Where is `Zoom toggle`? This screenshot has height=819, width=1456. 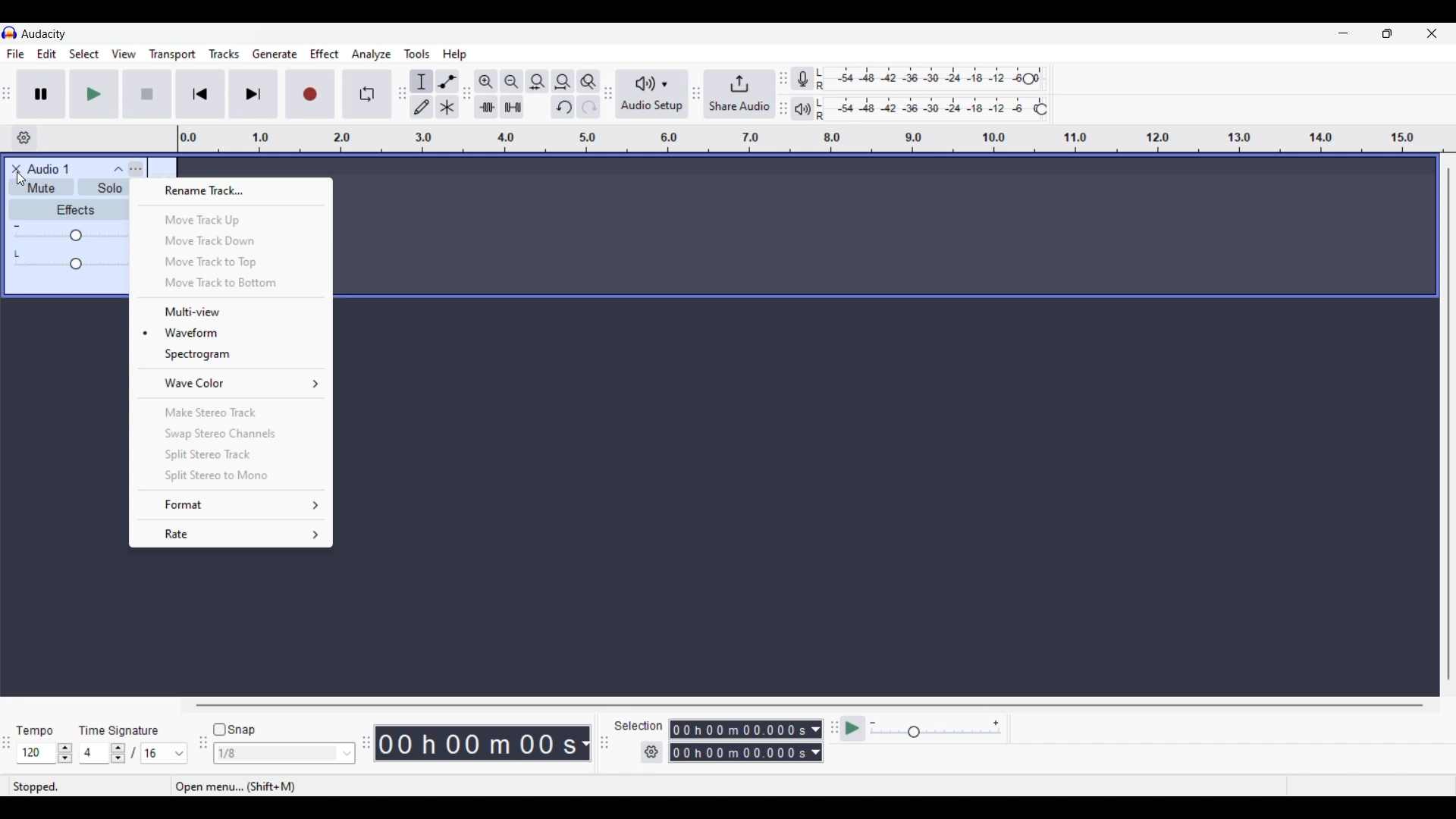 Zoom toggle is located at coordinates (588, 81).